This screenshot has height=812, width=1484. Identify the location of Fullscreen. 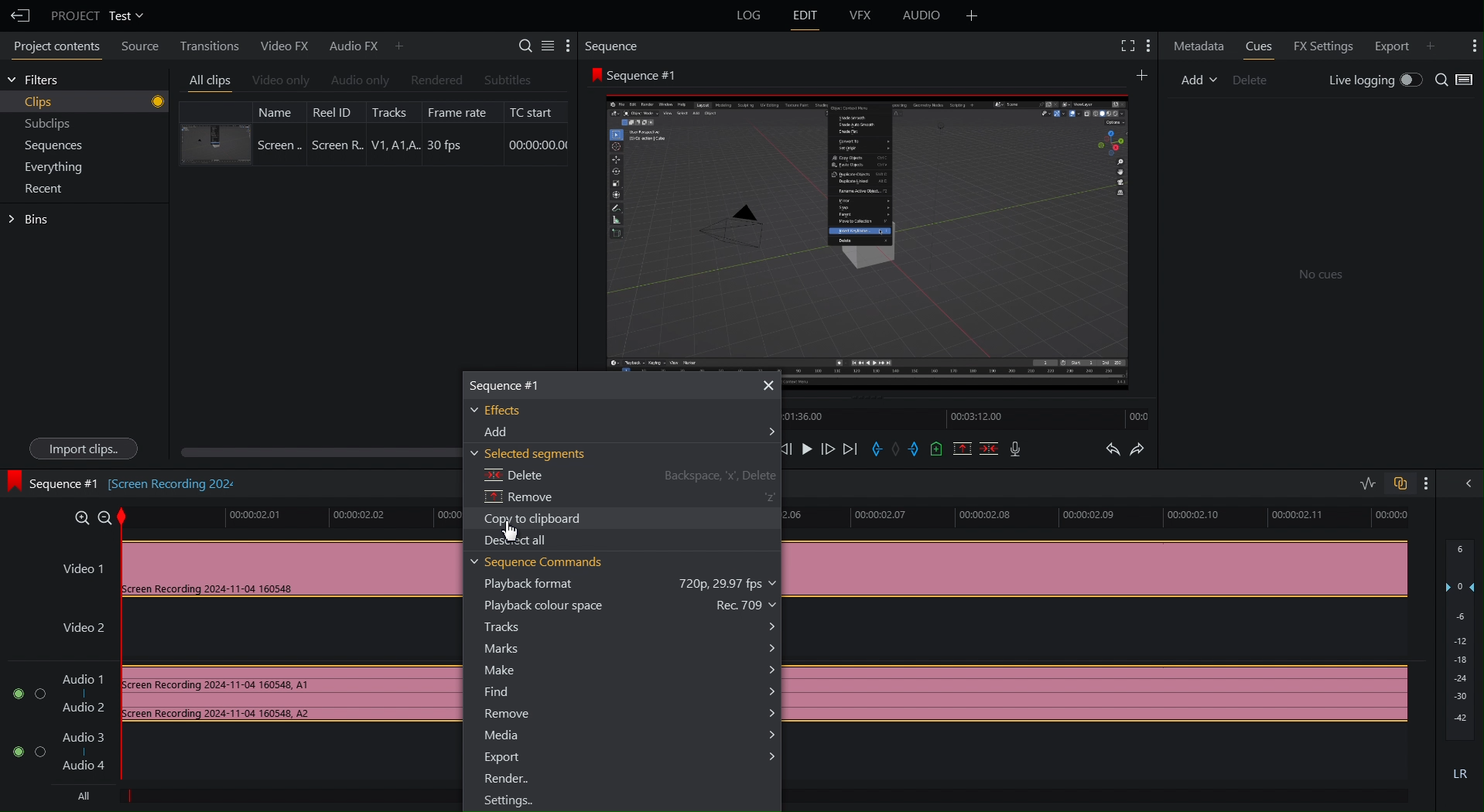
(1125, 47).